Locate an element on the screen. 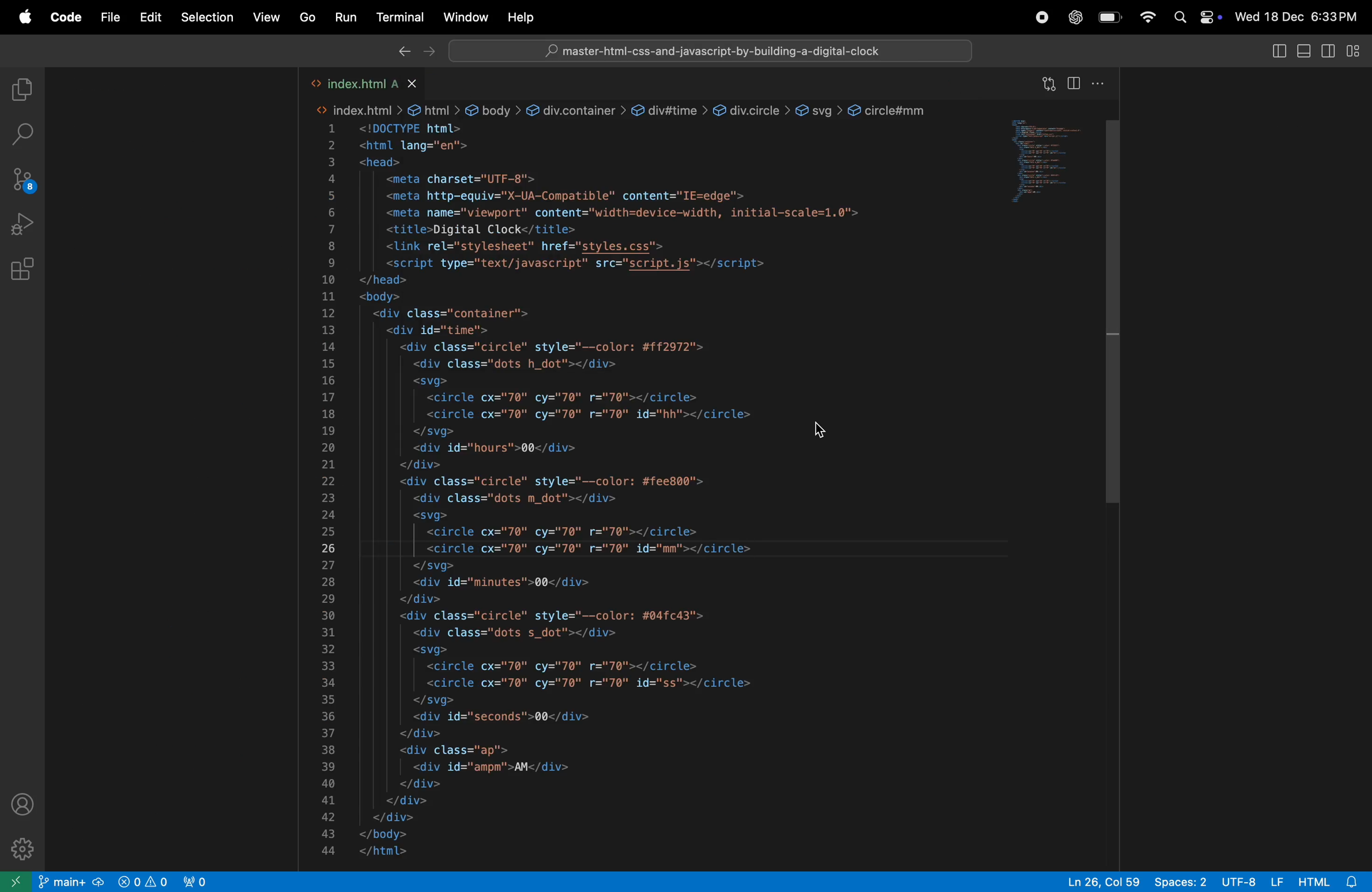 This screenshot has height=892, width=1372. open remote window is located at coordinates (18, 881).